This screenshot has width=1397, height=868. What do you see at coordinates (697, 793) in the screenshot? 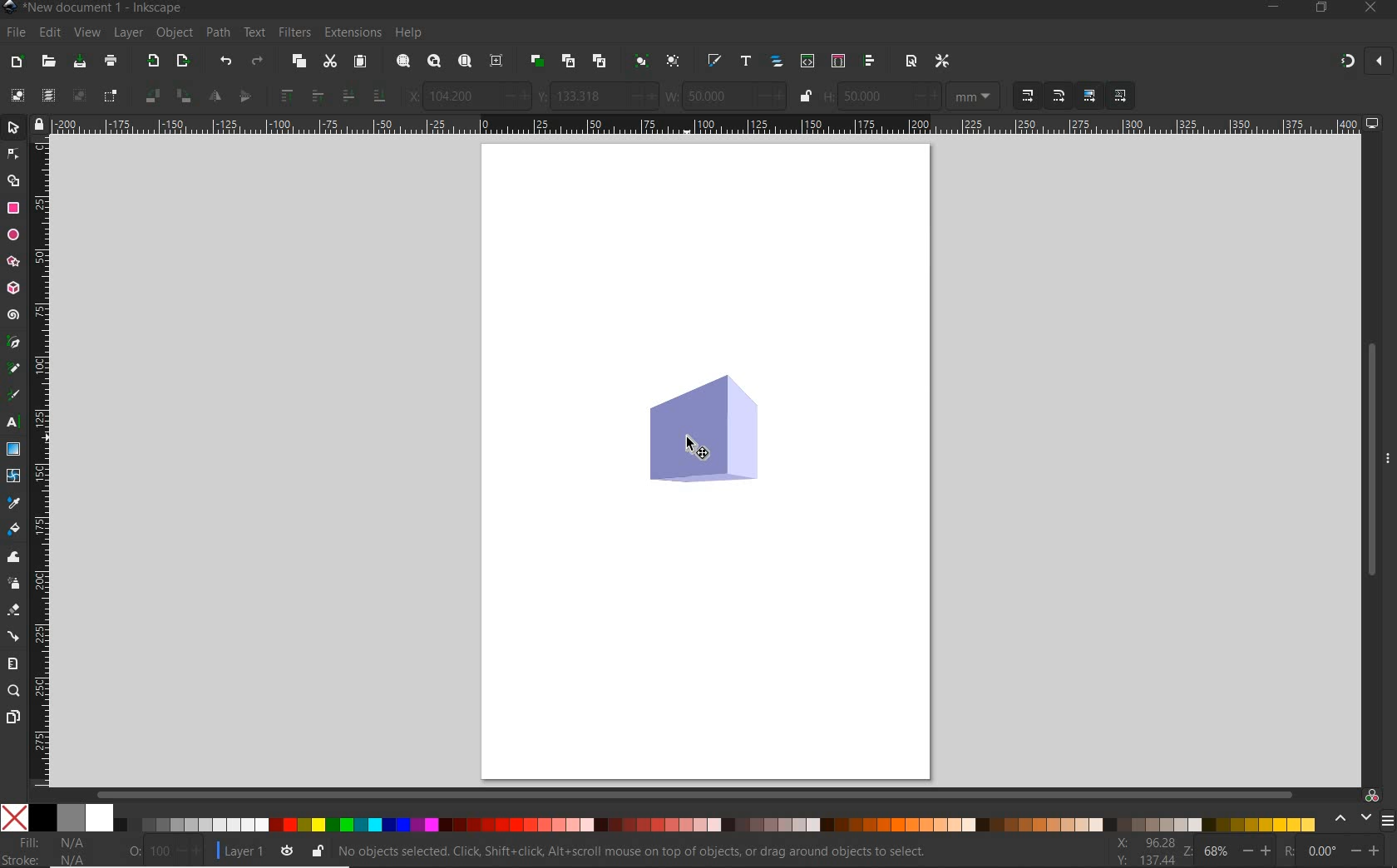
I see `scrollbar` at bounding box center [697, 793].